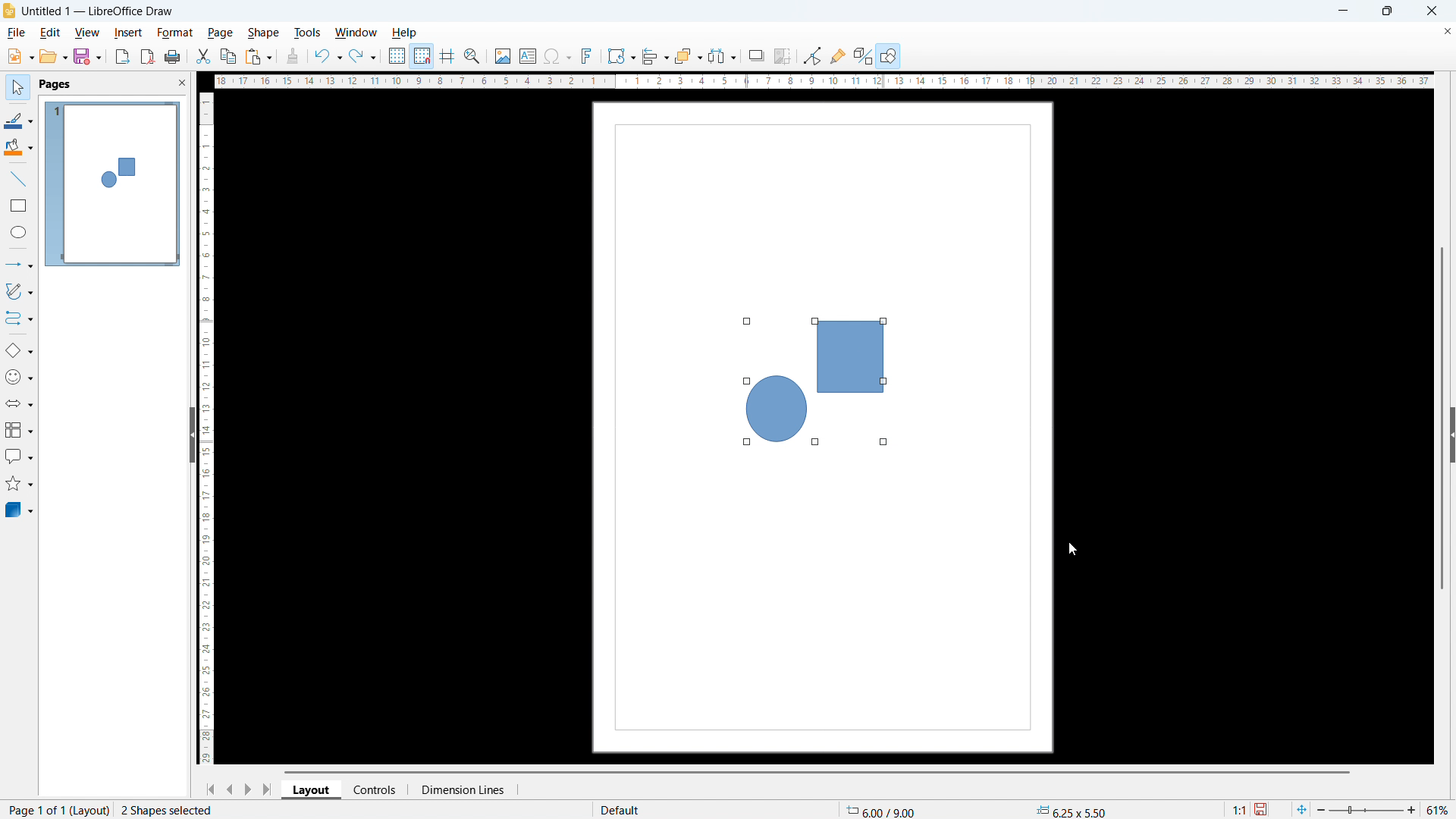  What do you see at coordinates (205, 428) in the screenshot?
I see `vertical ruler` at bounding box center [205, 428].